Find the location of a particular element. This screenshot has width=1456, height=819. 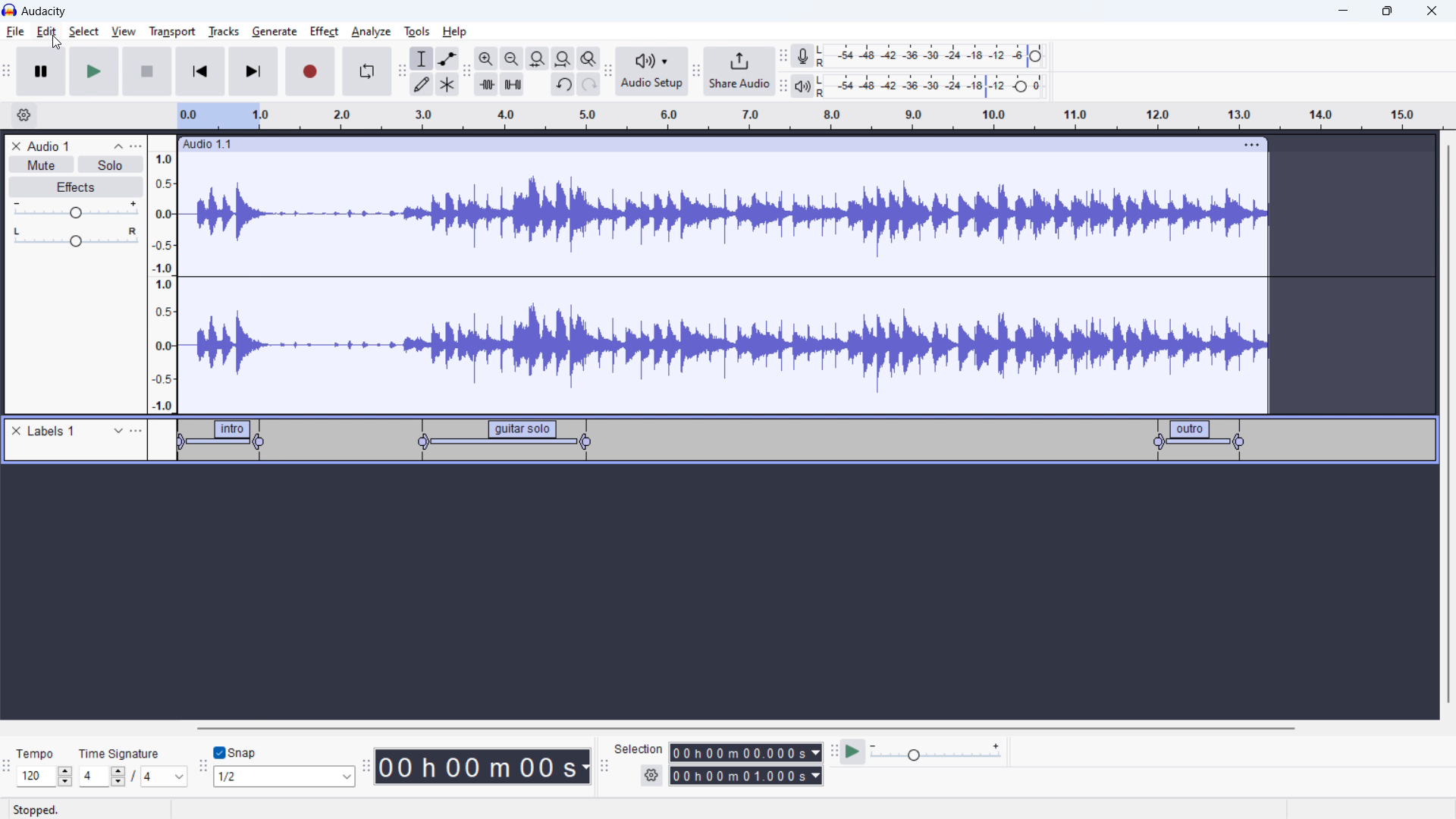

transport is located at coordinates (172, 31).